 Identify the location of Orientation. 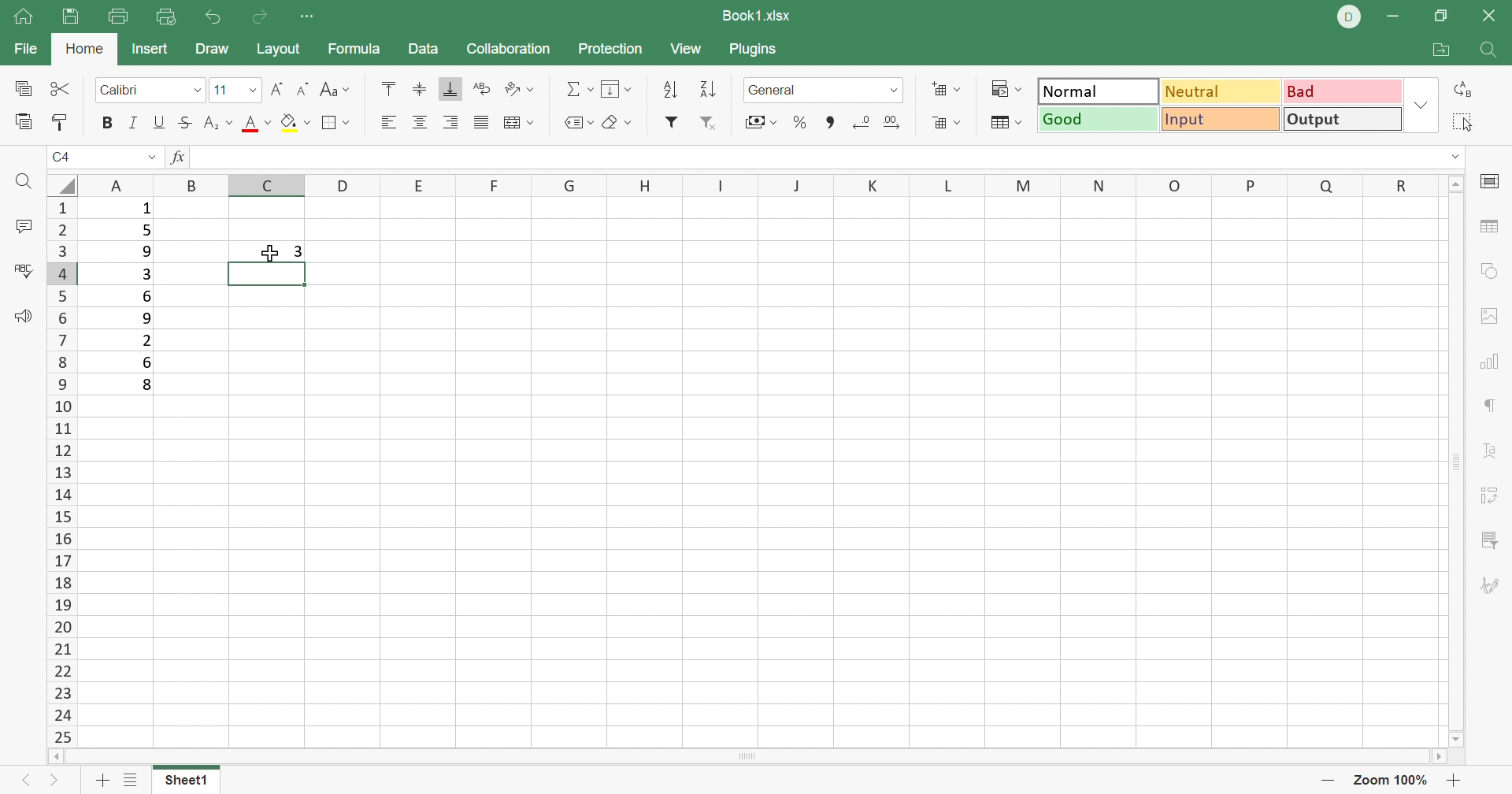
(517, 91).